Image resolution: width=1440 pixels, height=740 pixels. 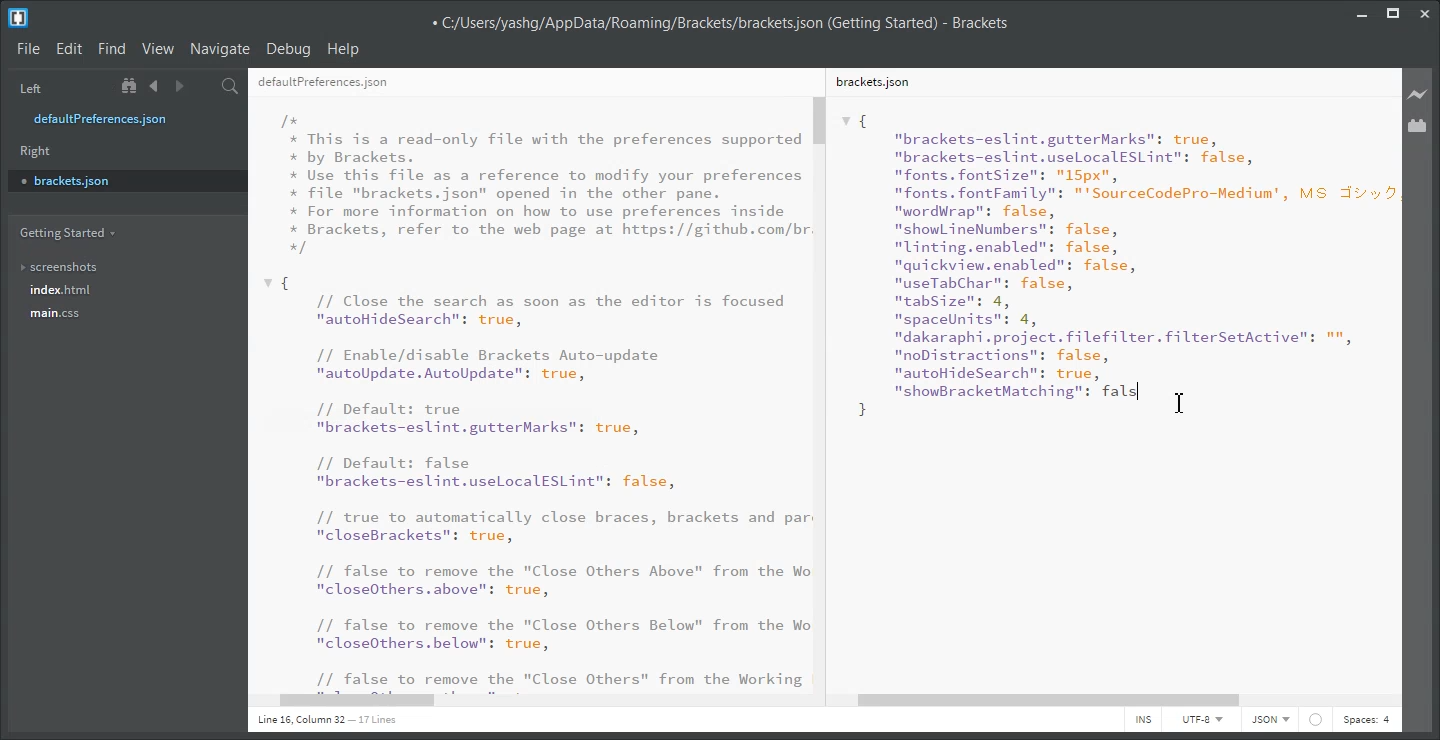 I want to click on index.html, so click(x=61, y=290).